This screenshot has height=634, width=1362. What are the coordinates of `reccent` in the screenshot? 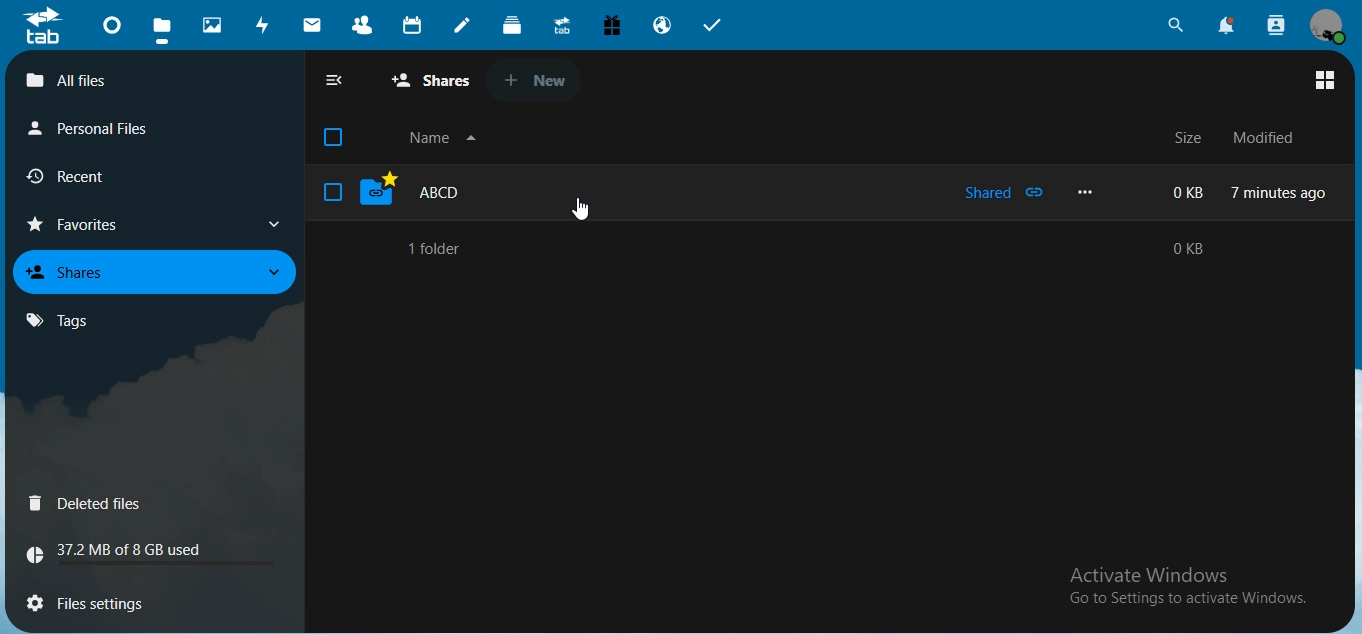 It's located at (90, 179).